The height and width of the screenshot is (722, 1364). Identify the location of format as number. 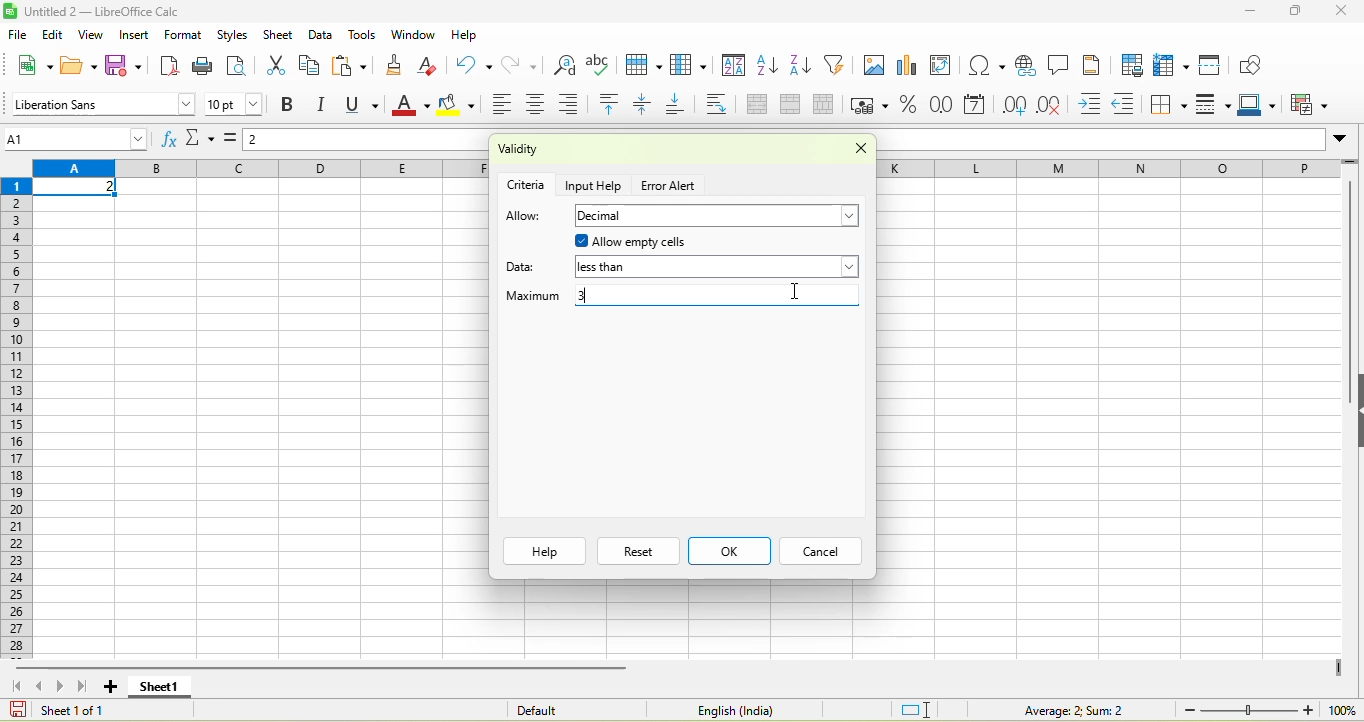
(943, 106).